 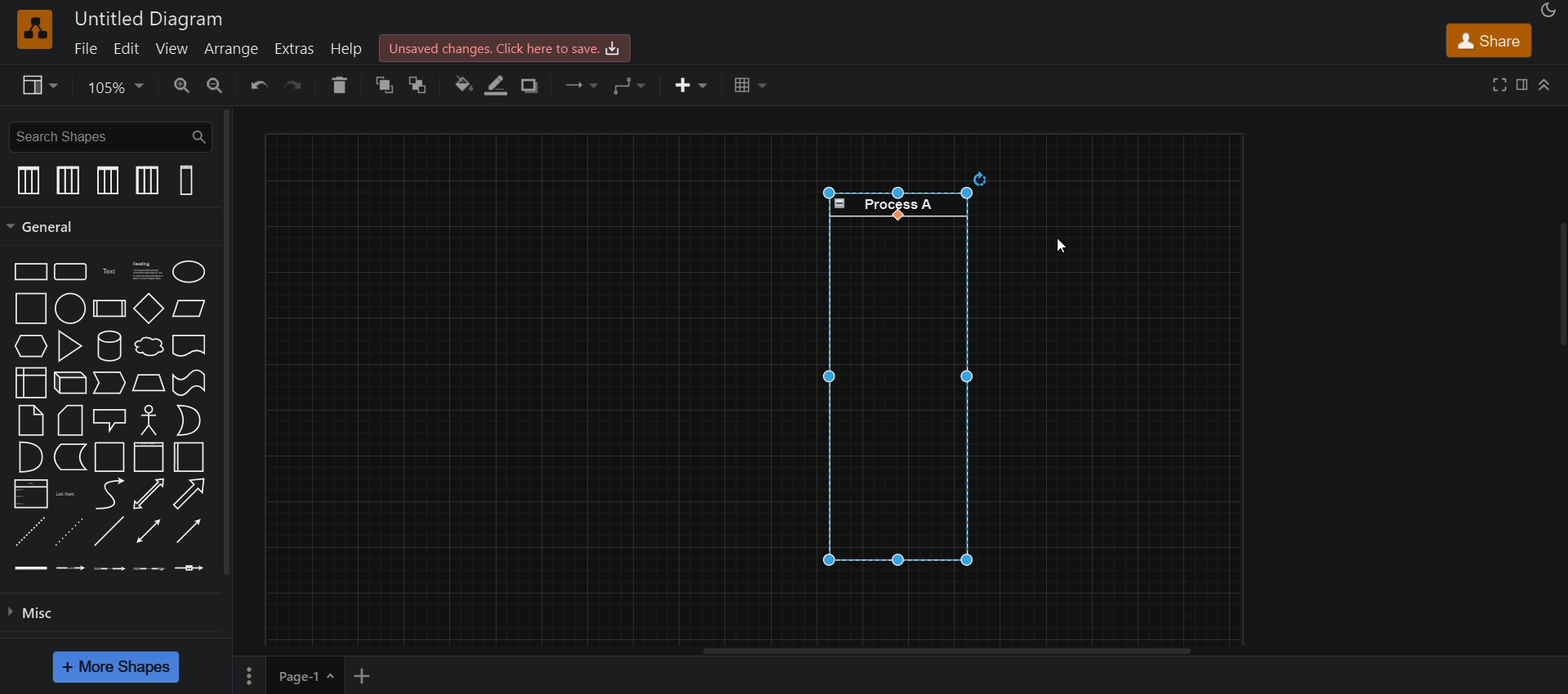 I want to click on ellipse, so click(x=192, y=270).